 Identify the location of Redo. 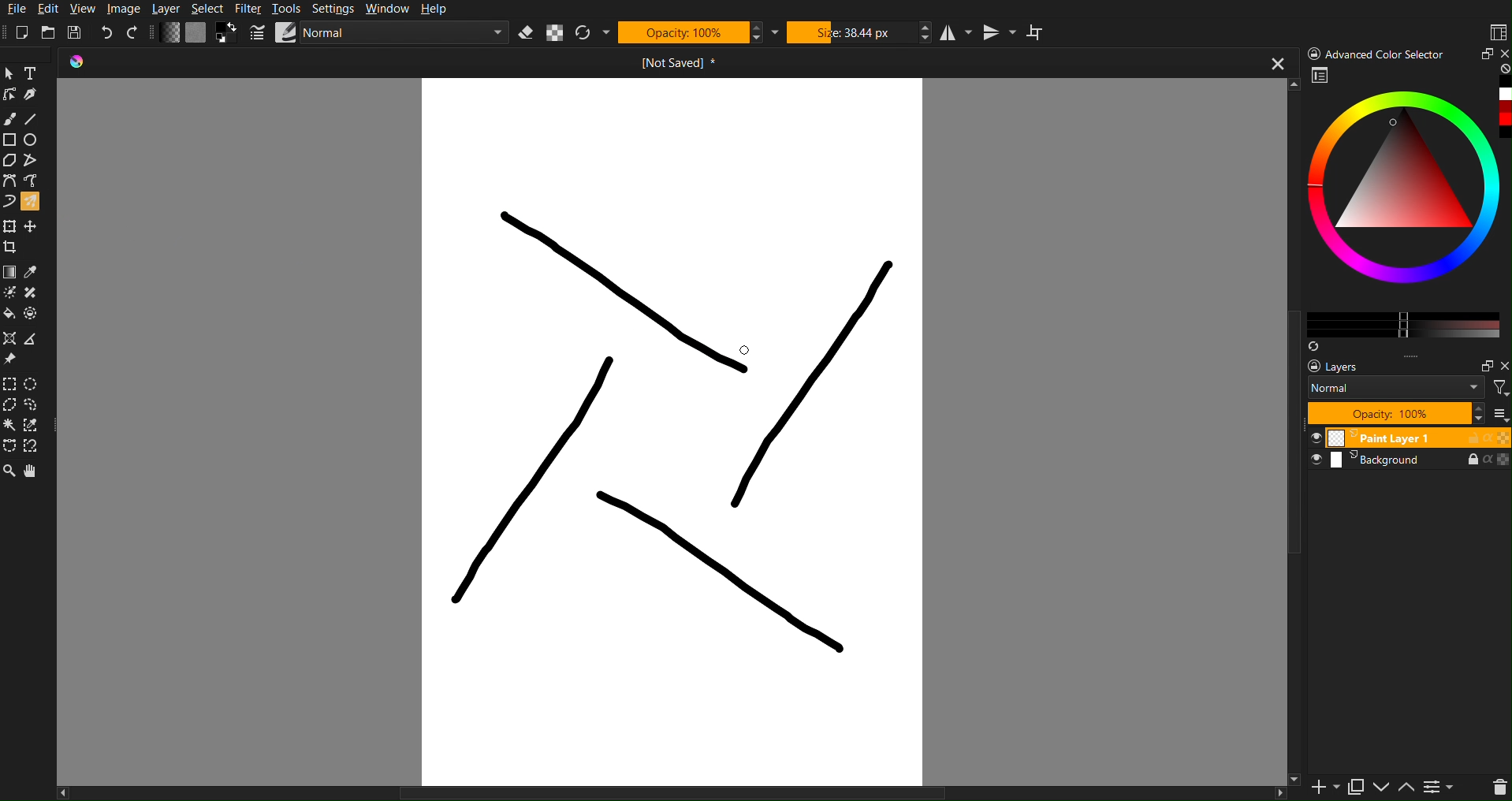
(133, 33).